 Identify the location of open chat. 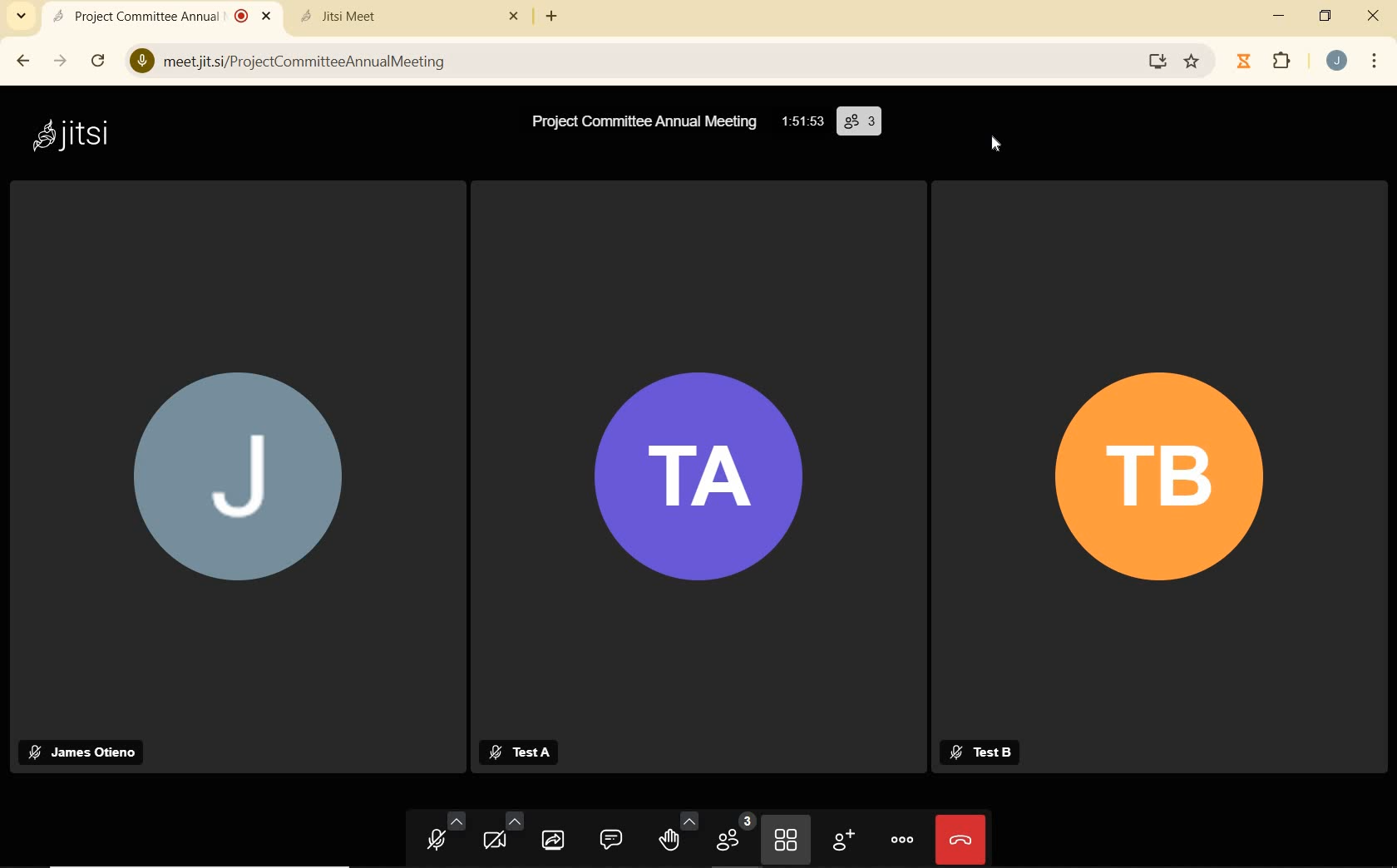
(614, 840).